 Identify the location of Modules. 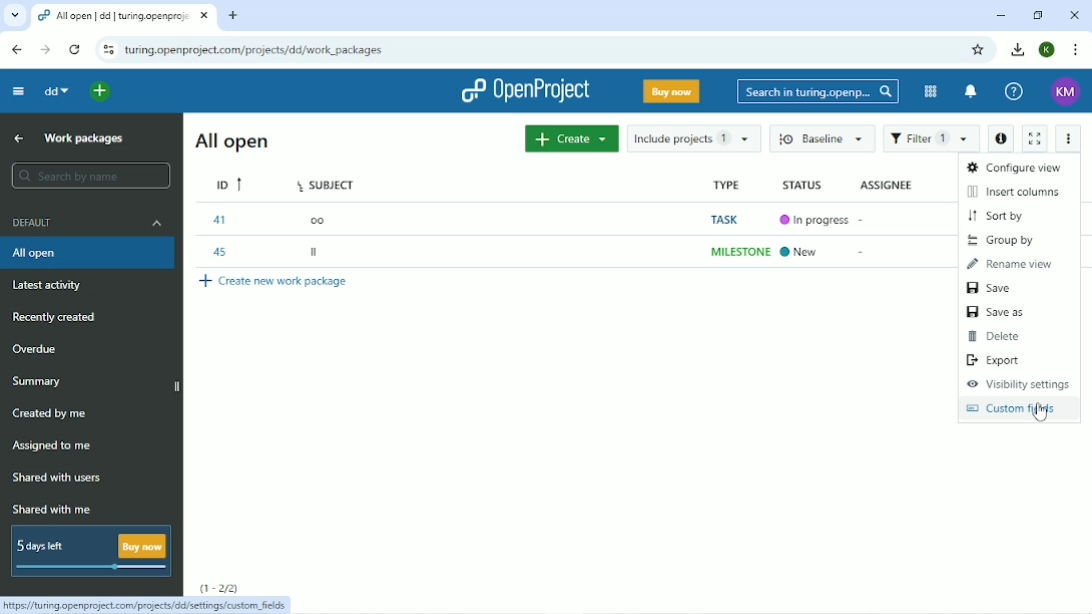
(930, 91).